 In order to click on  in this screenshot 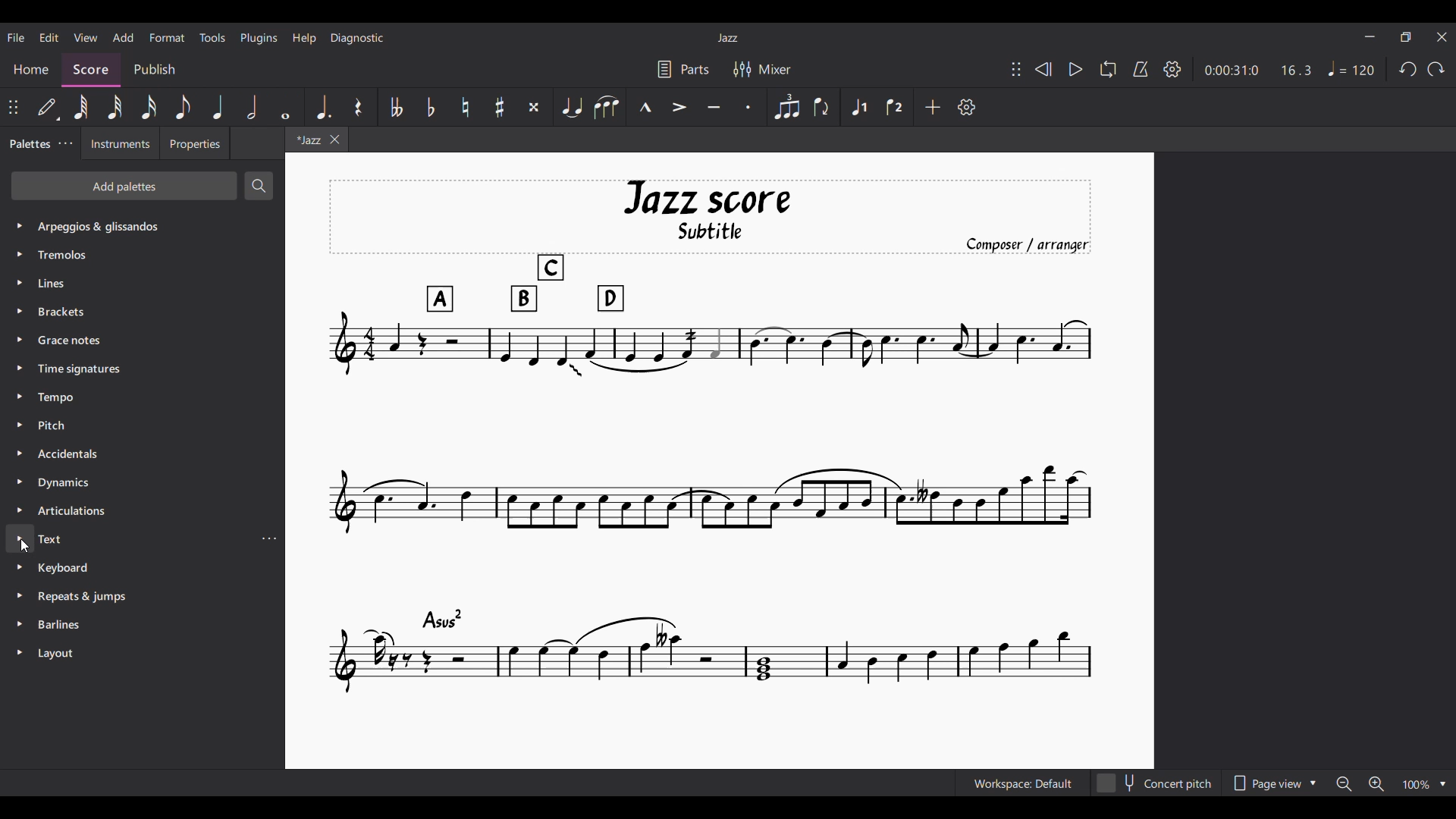, I will do `click(65, 482)`.